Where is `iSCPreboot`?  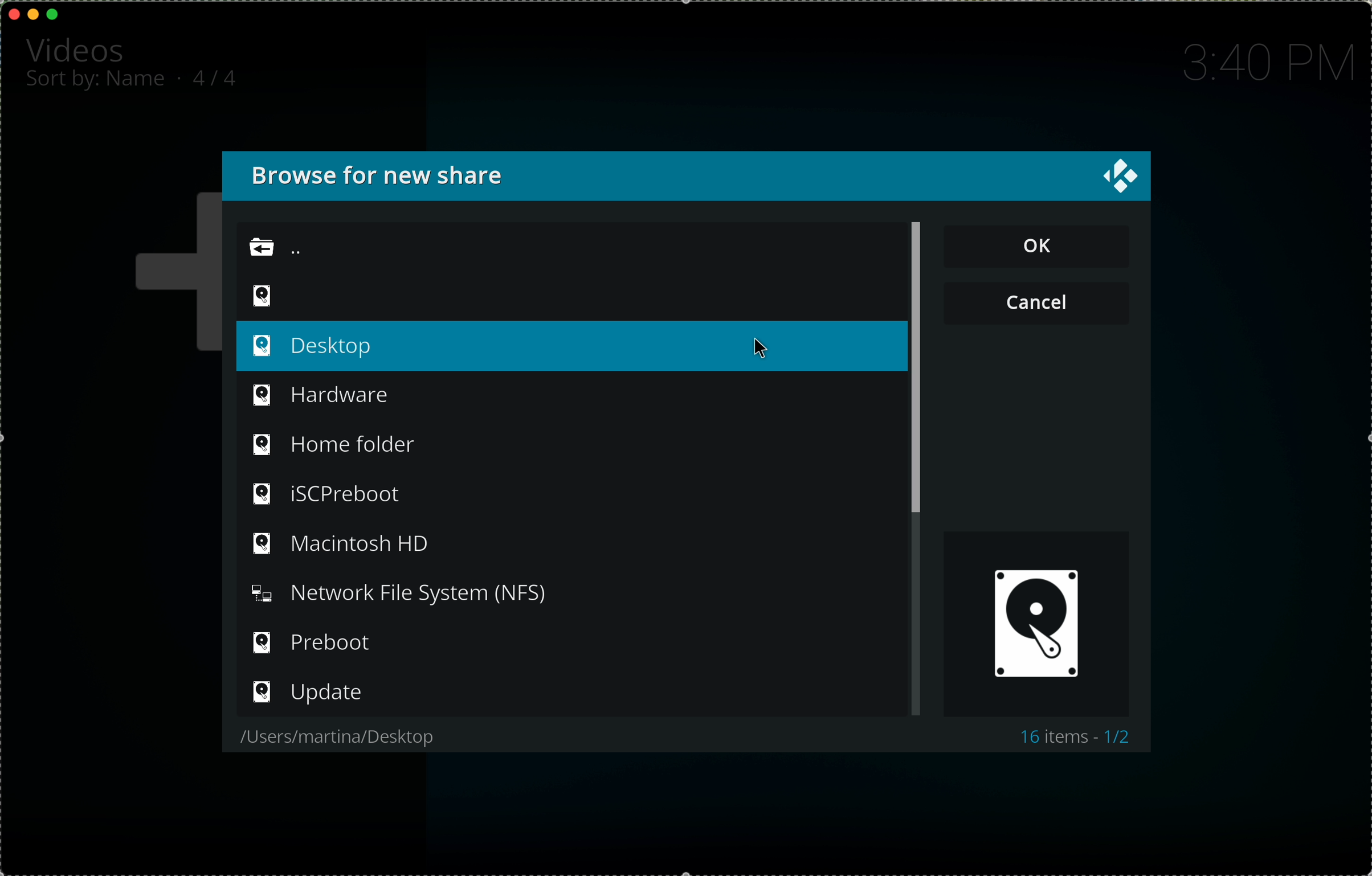 iSCPreboot is located at coordinates (333, 496).